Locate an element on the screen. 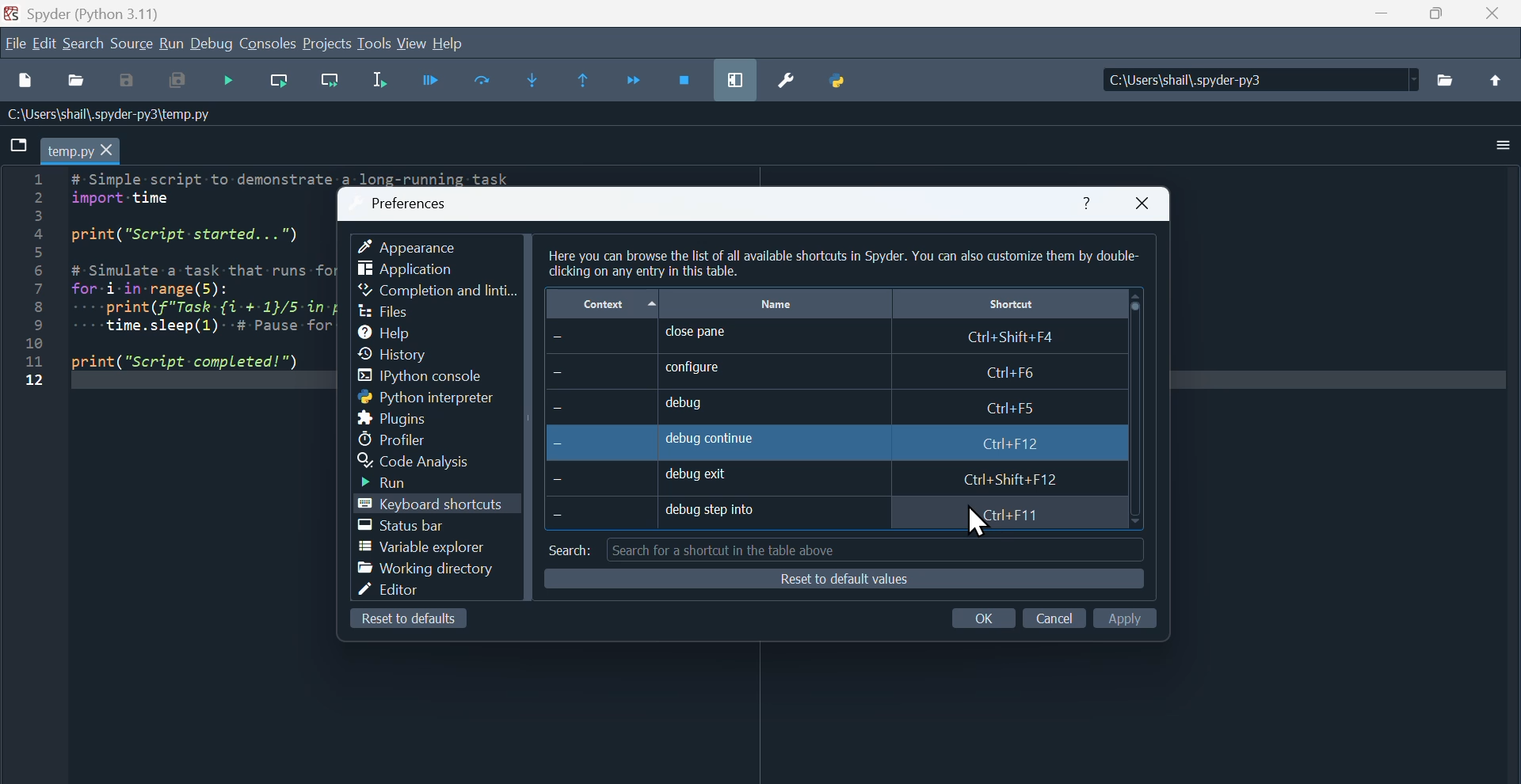  Edit is located at coordinates (44, 45).